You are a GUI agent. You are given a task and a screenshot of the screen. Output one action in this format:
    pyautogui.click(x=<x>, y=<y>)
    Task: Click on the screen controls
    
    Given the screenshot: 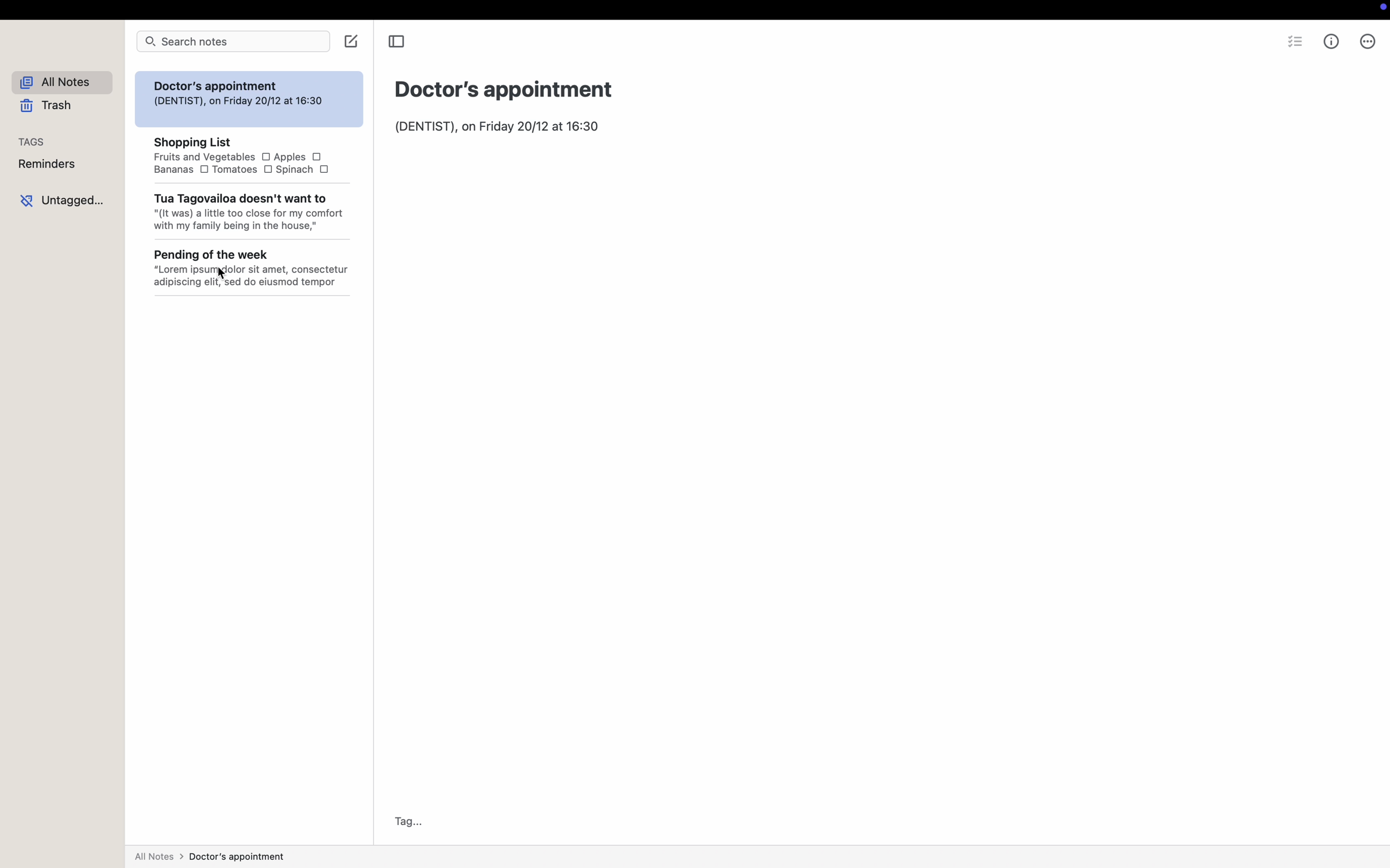 What is the action you would take?
    pyautogui.click(x=1379, y=9)
    